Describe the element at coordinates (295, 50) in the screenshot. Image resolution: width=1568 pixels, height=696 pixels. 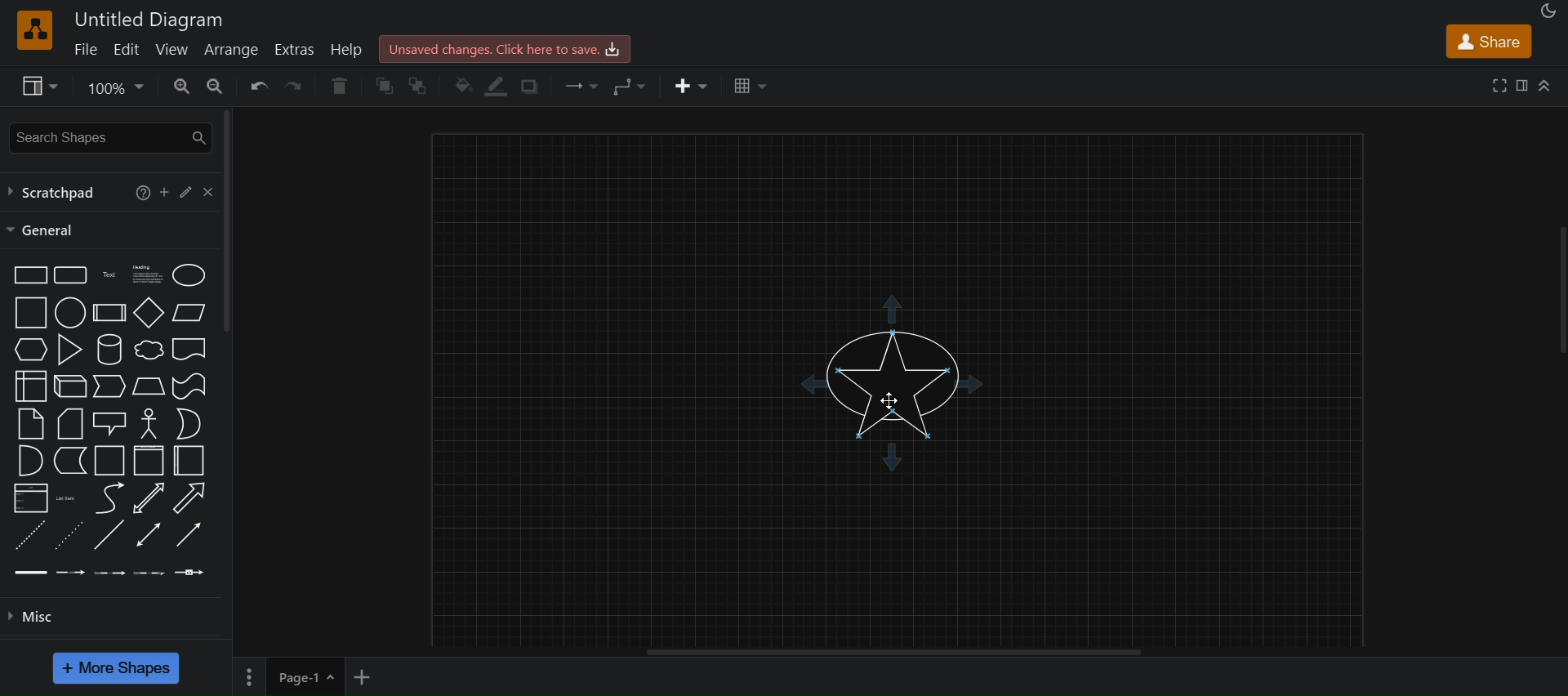
I see `extras` at that location.